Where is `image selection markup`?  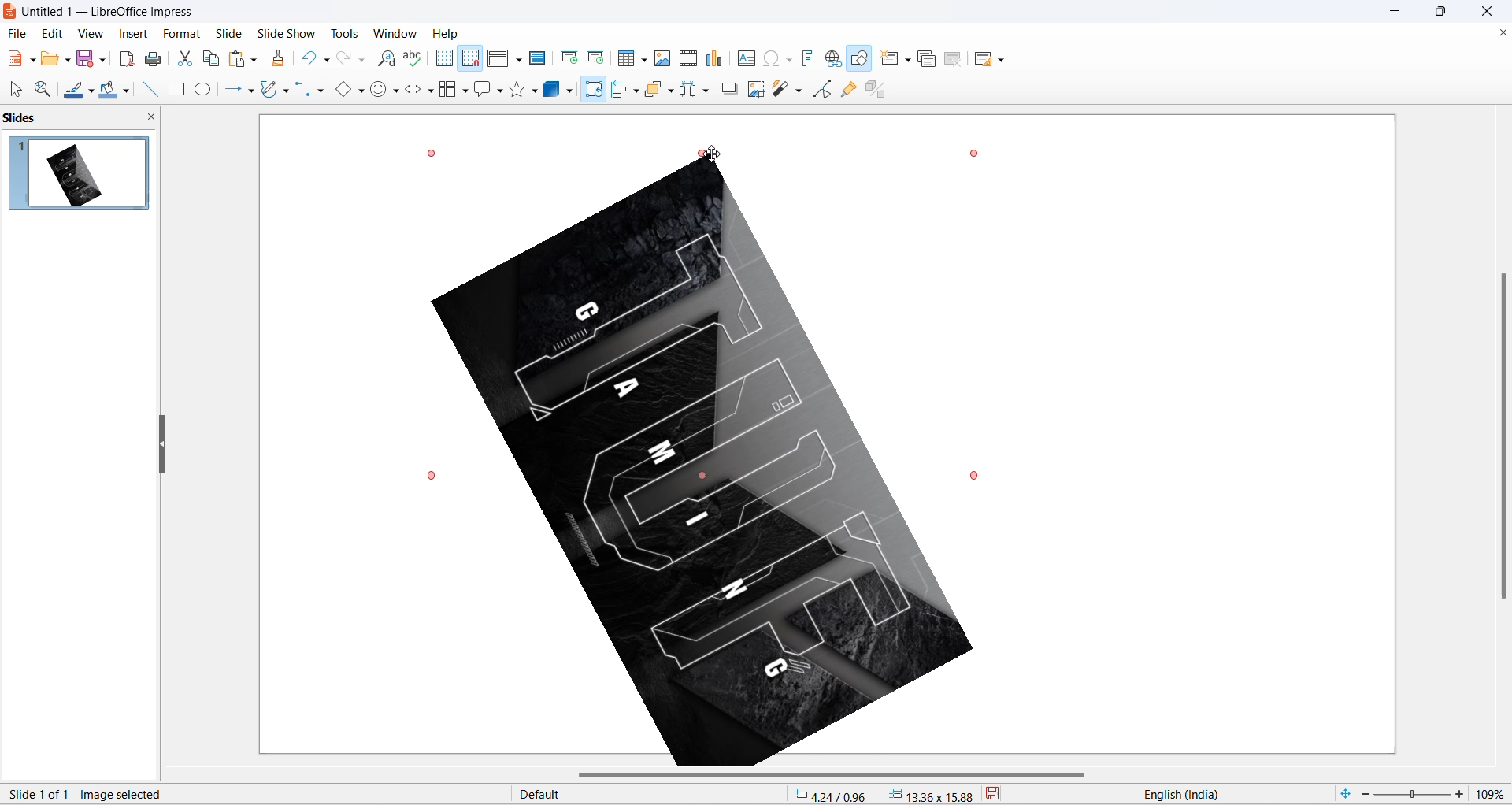 image selection markup is located at coordinates (431, 153).